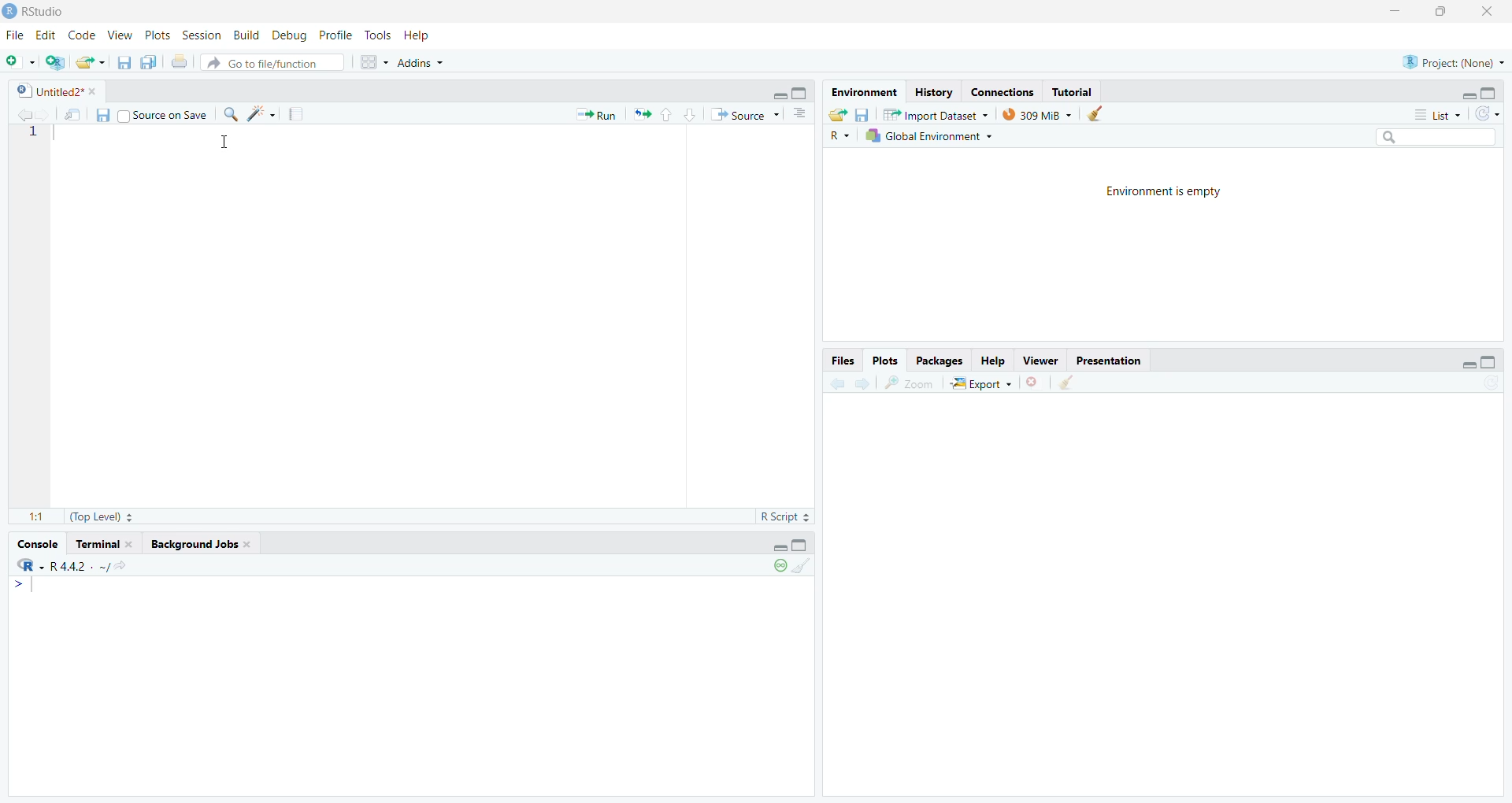  What do you see at coordinates (422, 65) in the screenshot?
I see `Addins ~` at bounding box center [422, 65].